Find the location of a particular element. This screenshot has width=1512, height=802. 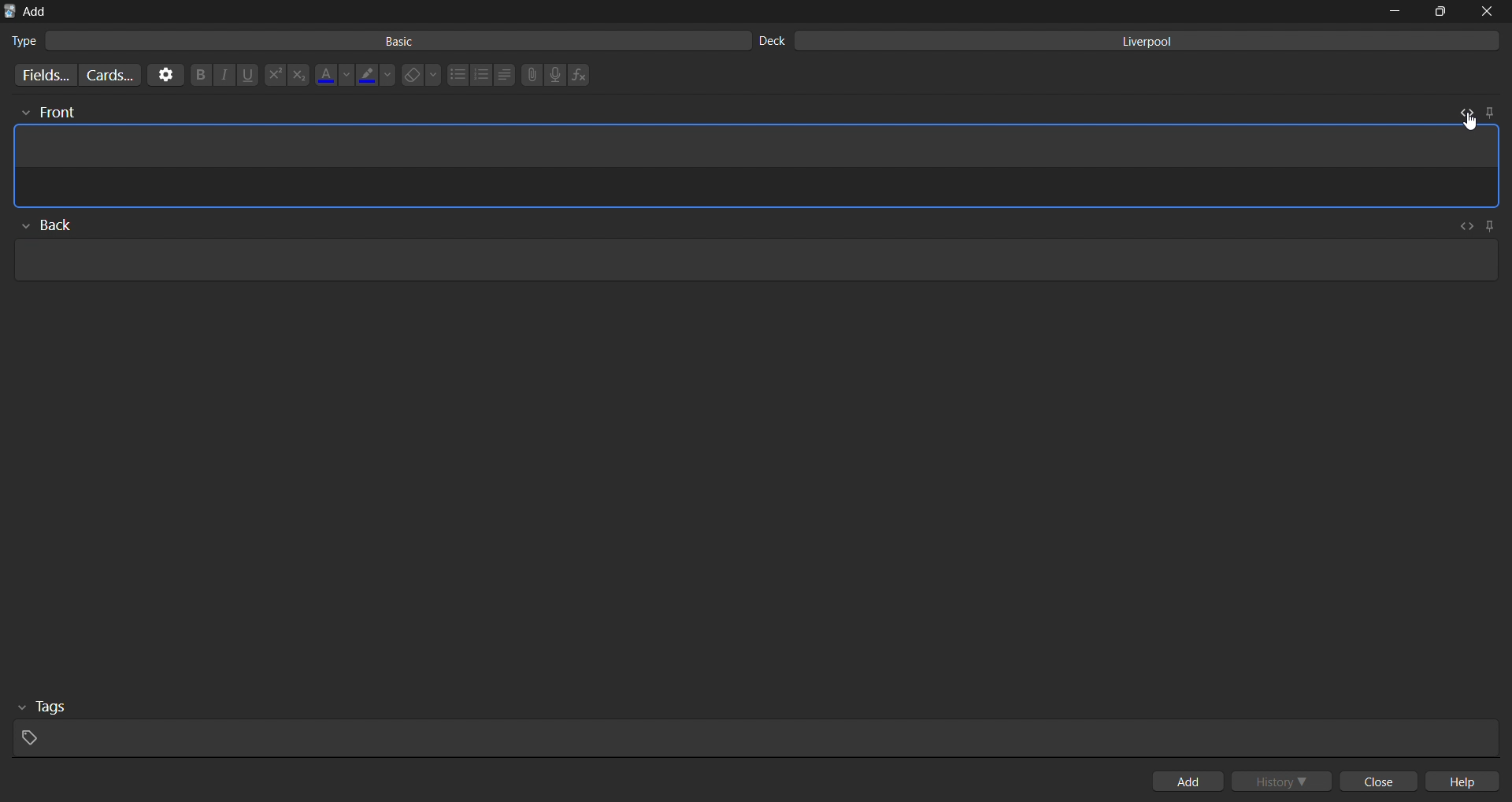

pin is located at coordinates (1489, 111).